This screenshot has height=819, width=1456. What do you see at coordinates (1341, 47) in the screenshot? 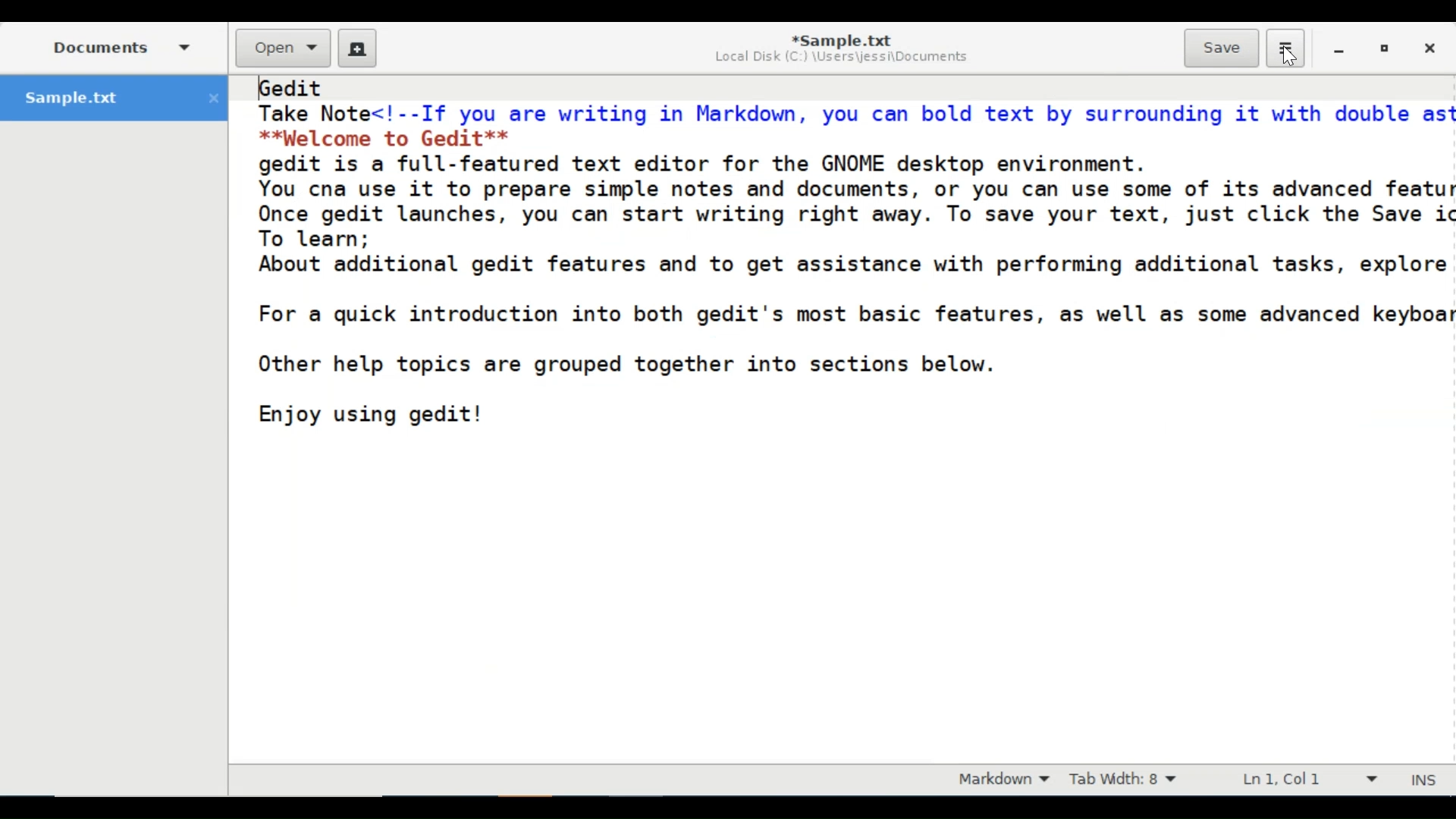
I see `minimize` at bounding box center [1341, 47].